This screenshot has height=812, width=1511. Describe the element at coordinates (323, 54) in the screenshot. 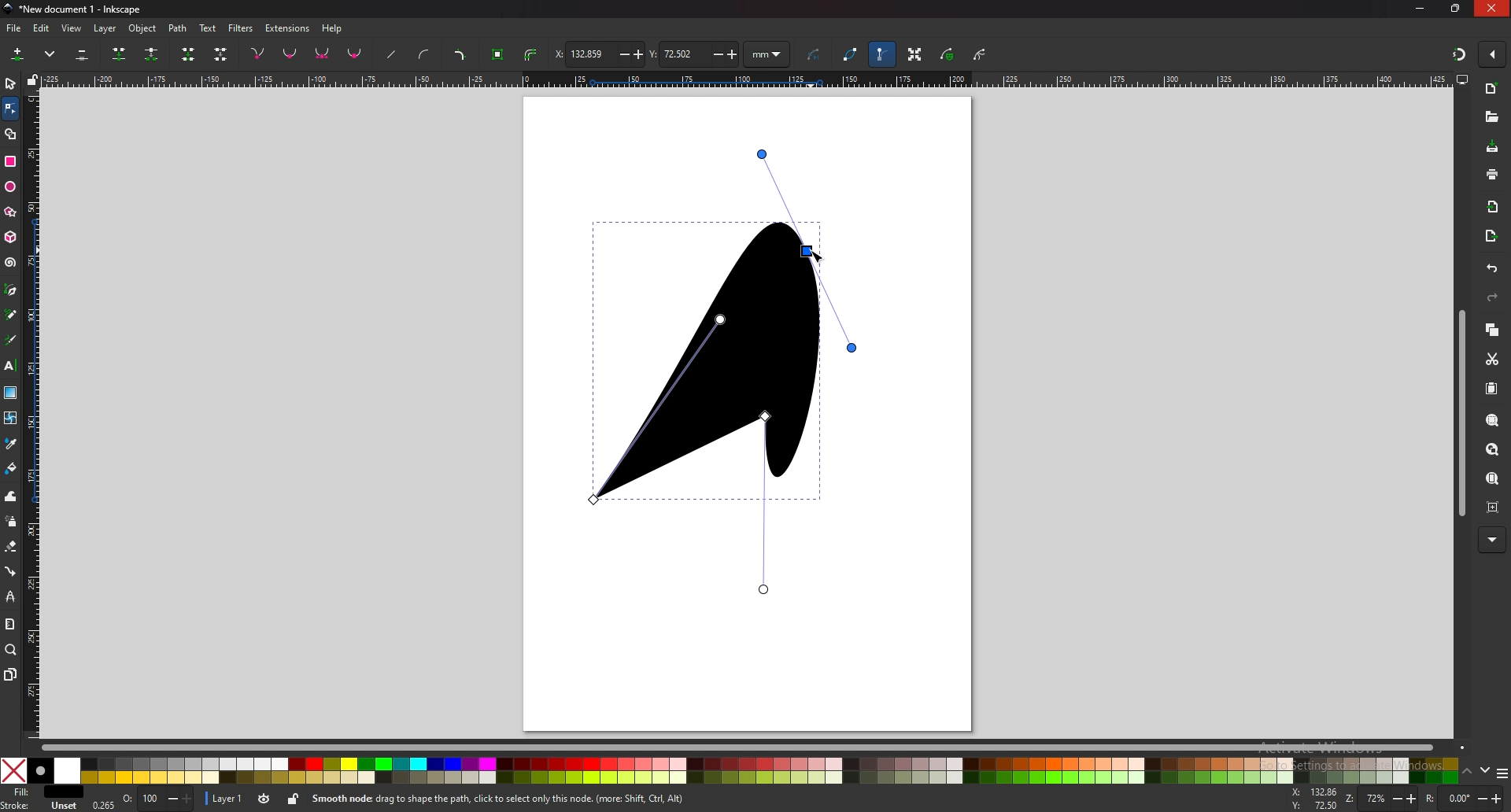

I see `nodes symmetrical` at that location.